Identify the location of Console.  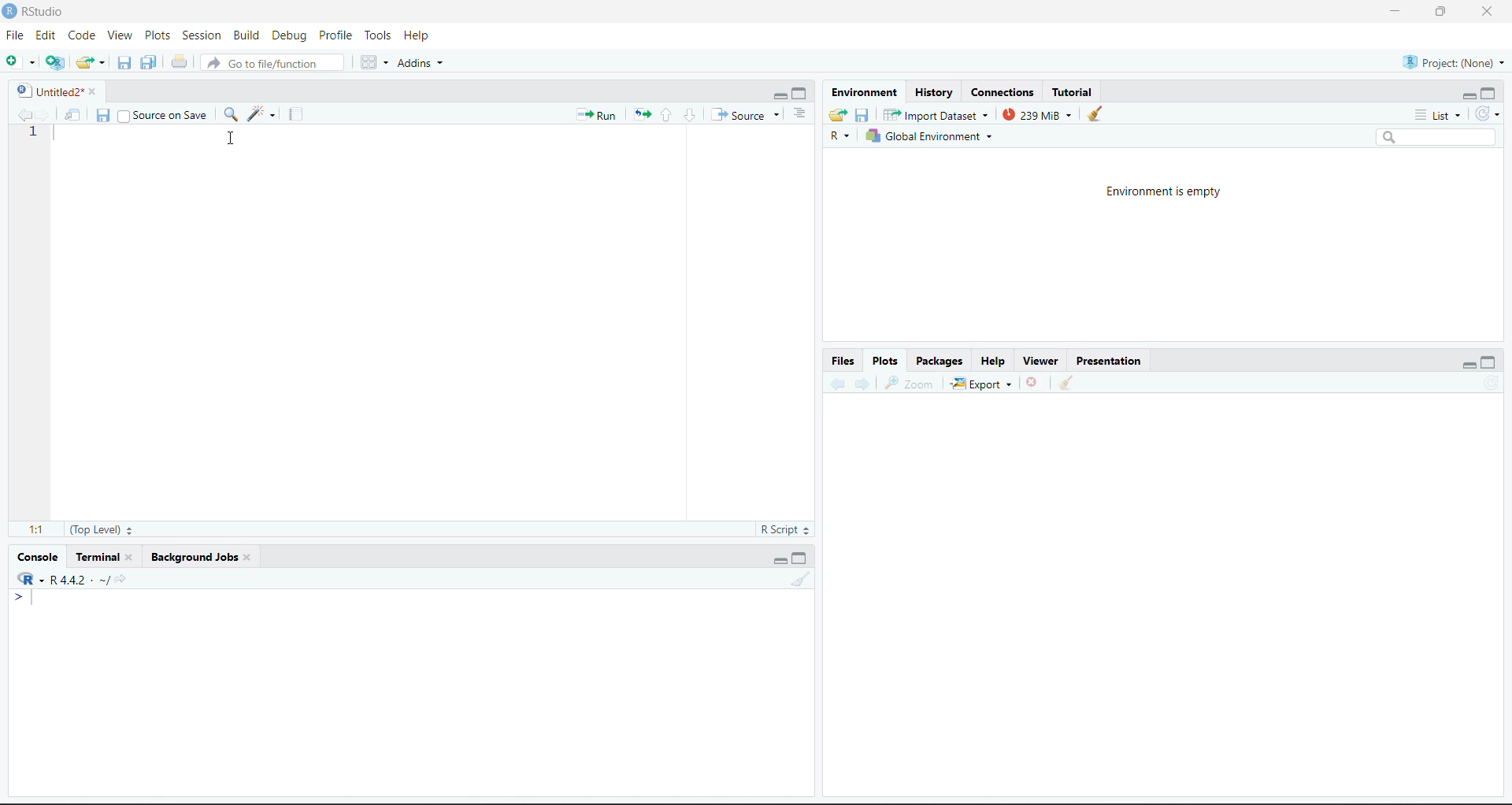
(36, 556).